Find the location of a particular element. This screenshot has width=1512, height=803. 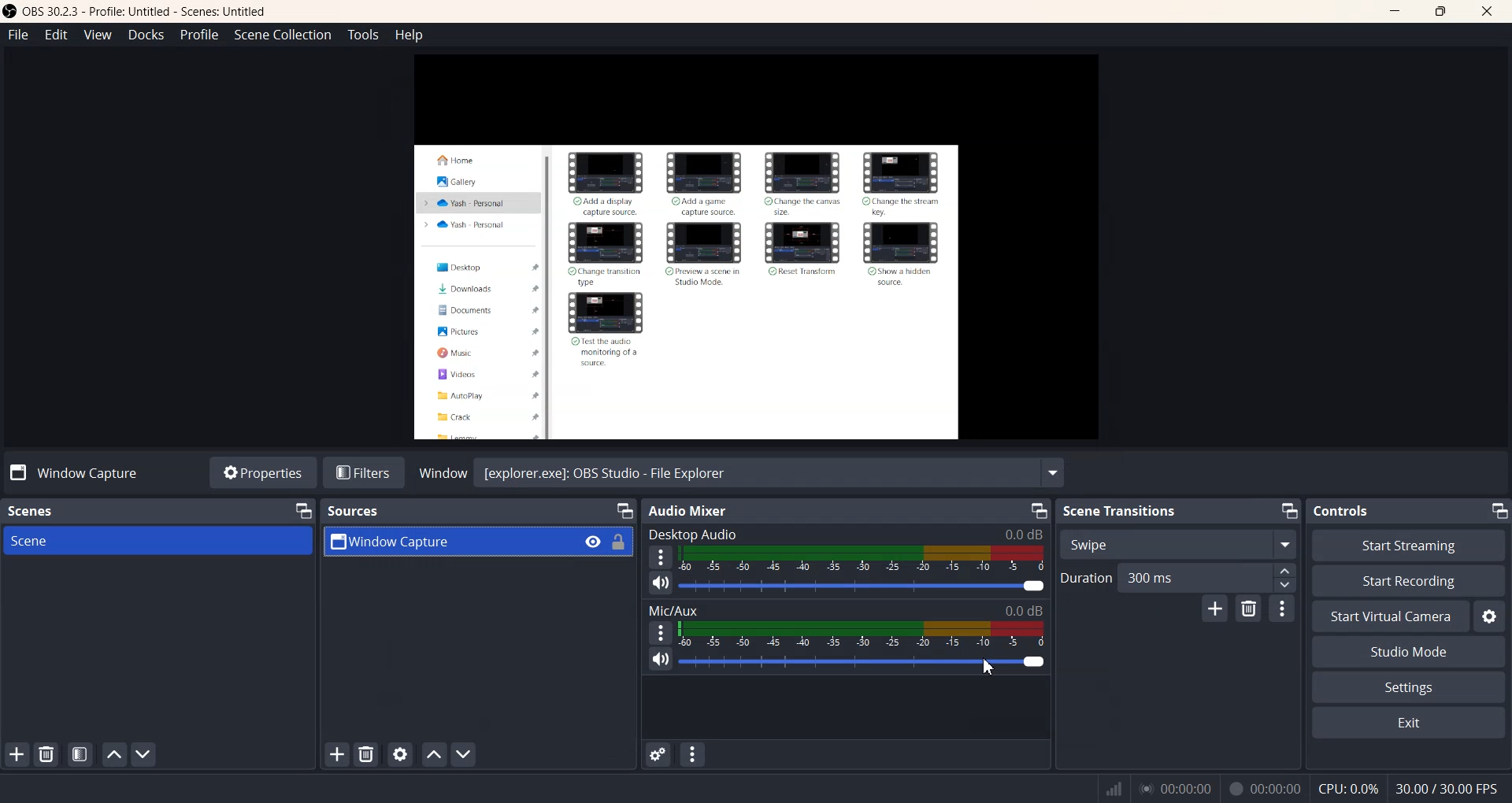

Signals is located at coordinates (1107, 789).